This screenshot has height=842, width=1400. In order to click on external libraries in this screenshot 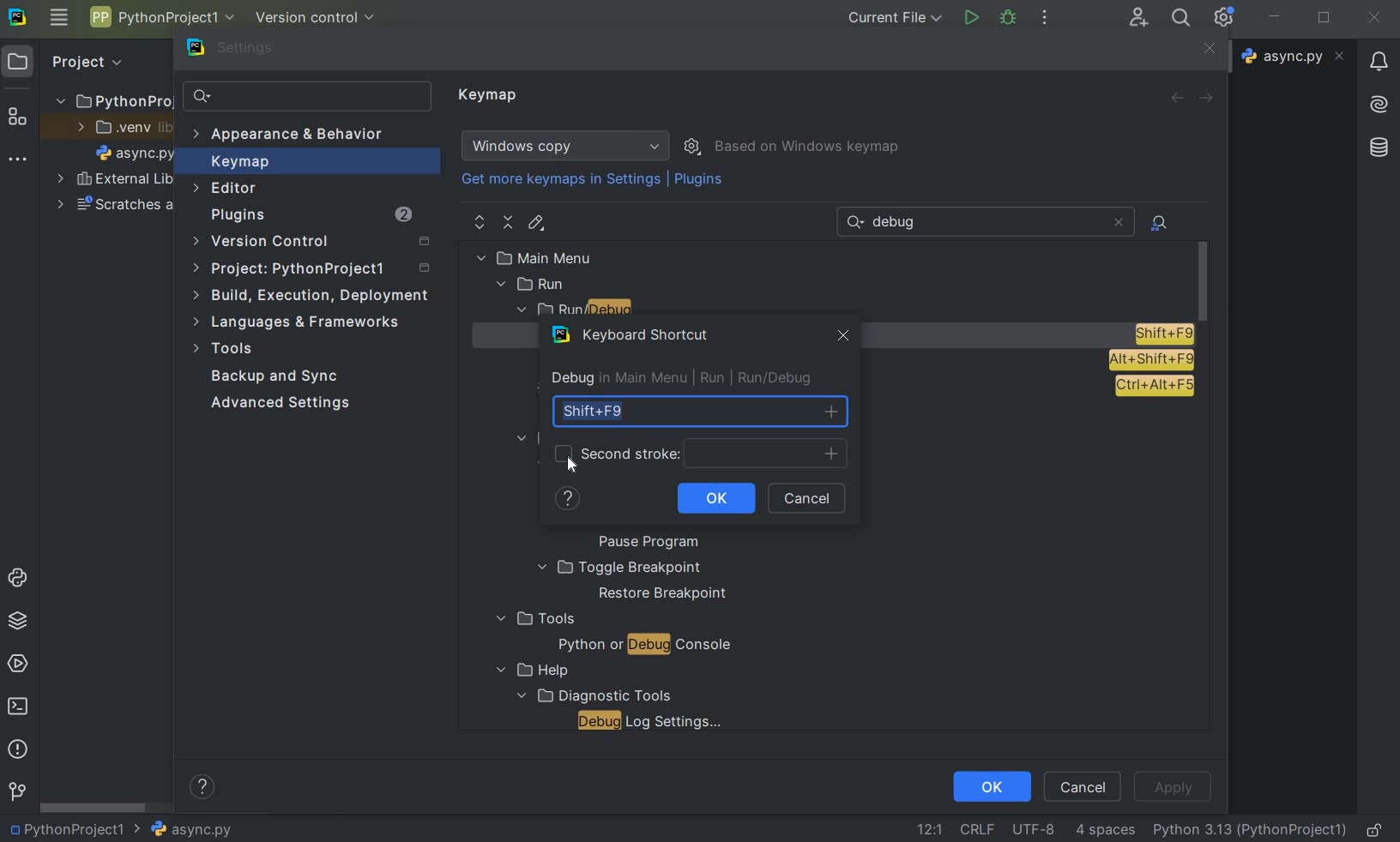, I will do `click(115, 181)`.